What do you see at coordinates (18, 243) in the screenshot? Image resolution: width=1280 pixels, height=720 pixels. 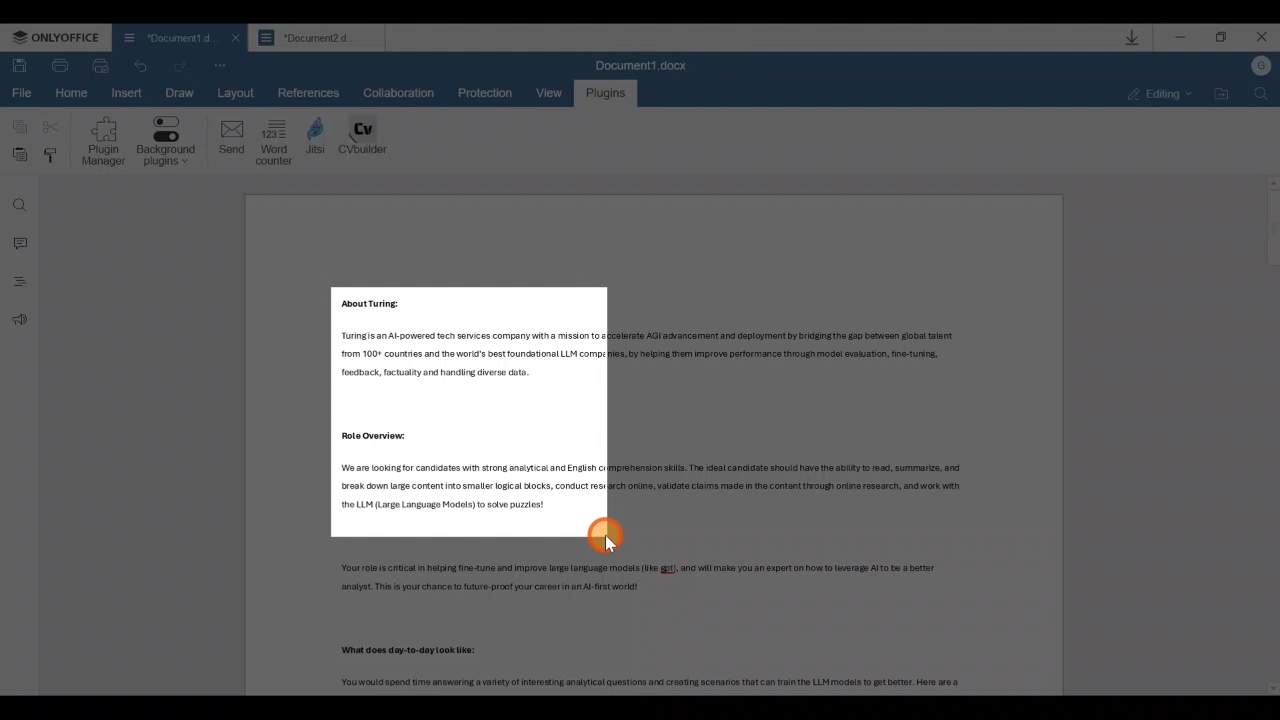 I see `Comment` at bounding box center [18, 243].